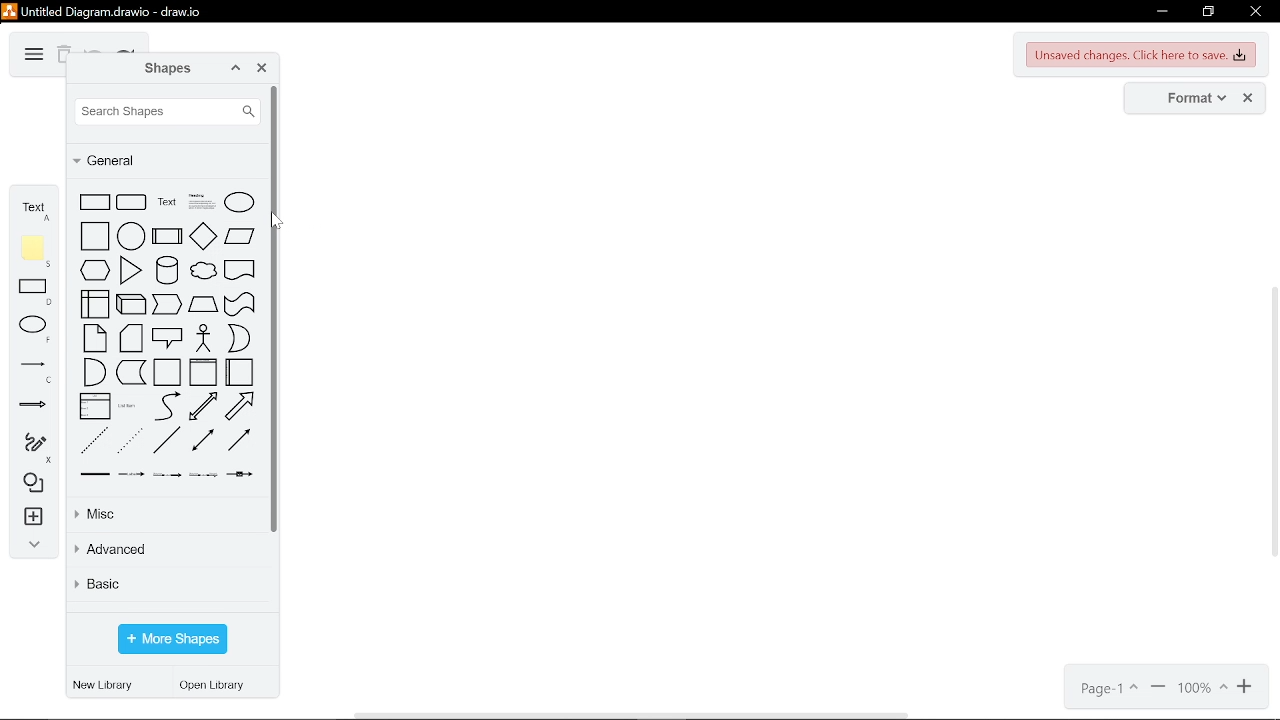 The image size is (1280, 720). Describe the element at coordinates (166, 587) in the screenshot. I see `basic` at that location.